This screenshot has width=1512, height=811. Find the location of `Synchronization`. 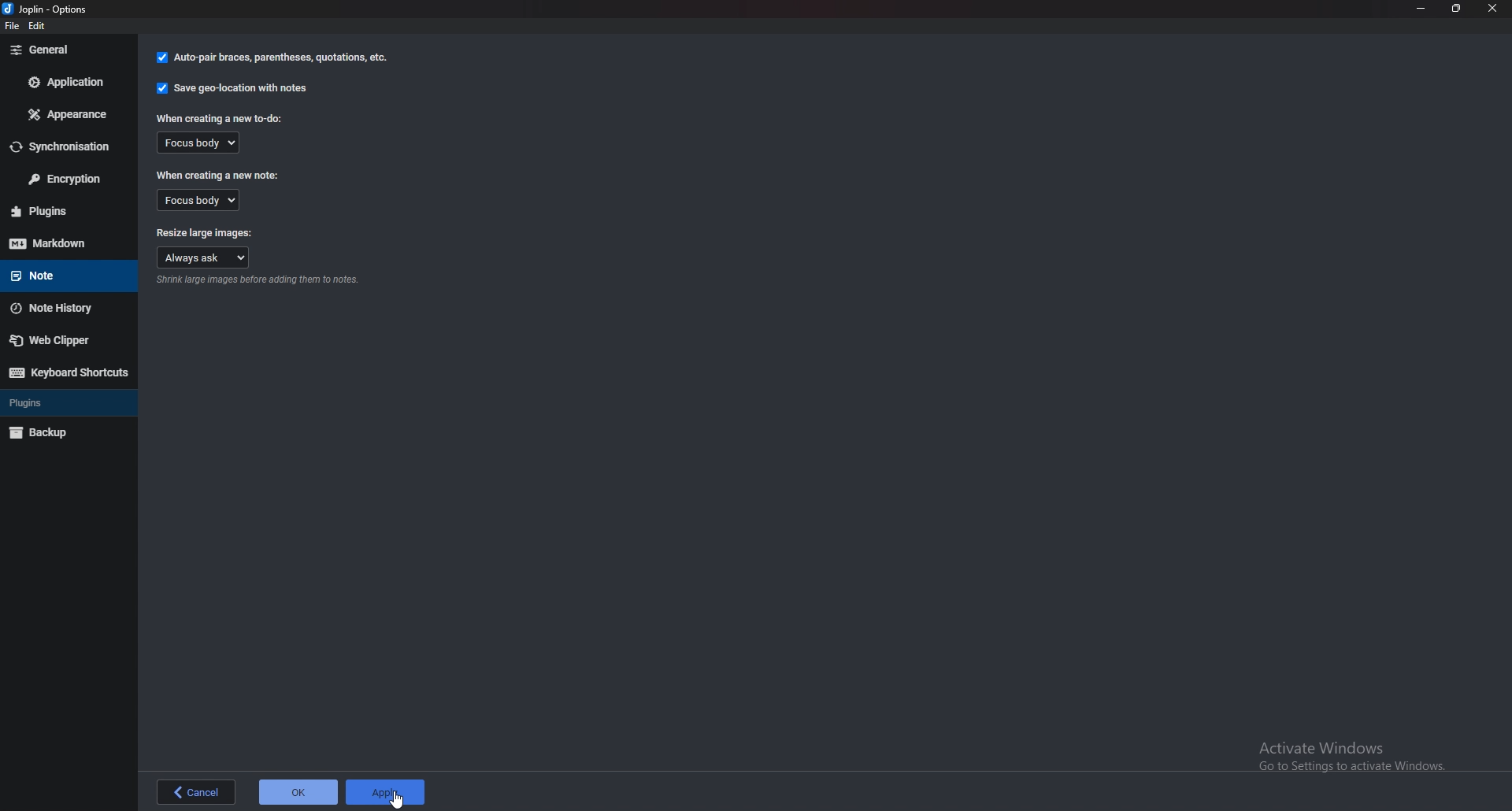

Synchronization is located at coordinates (66, 147).